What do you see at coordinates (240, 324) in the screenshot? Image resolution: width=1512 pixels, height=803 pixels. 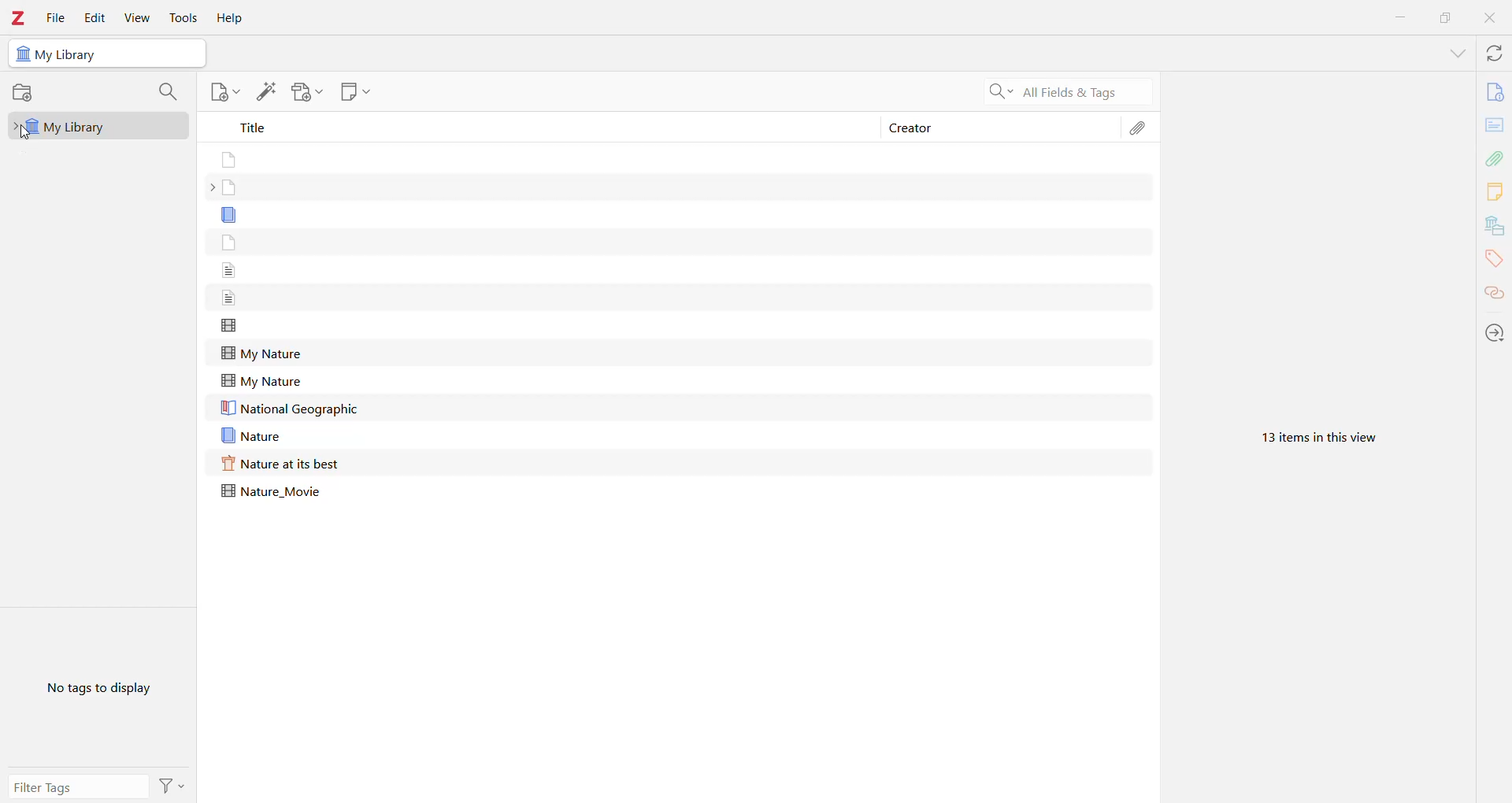 I see `Without title file` at bounding box center [240, 324].